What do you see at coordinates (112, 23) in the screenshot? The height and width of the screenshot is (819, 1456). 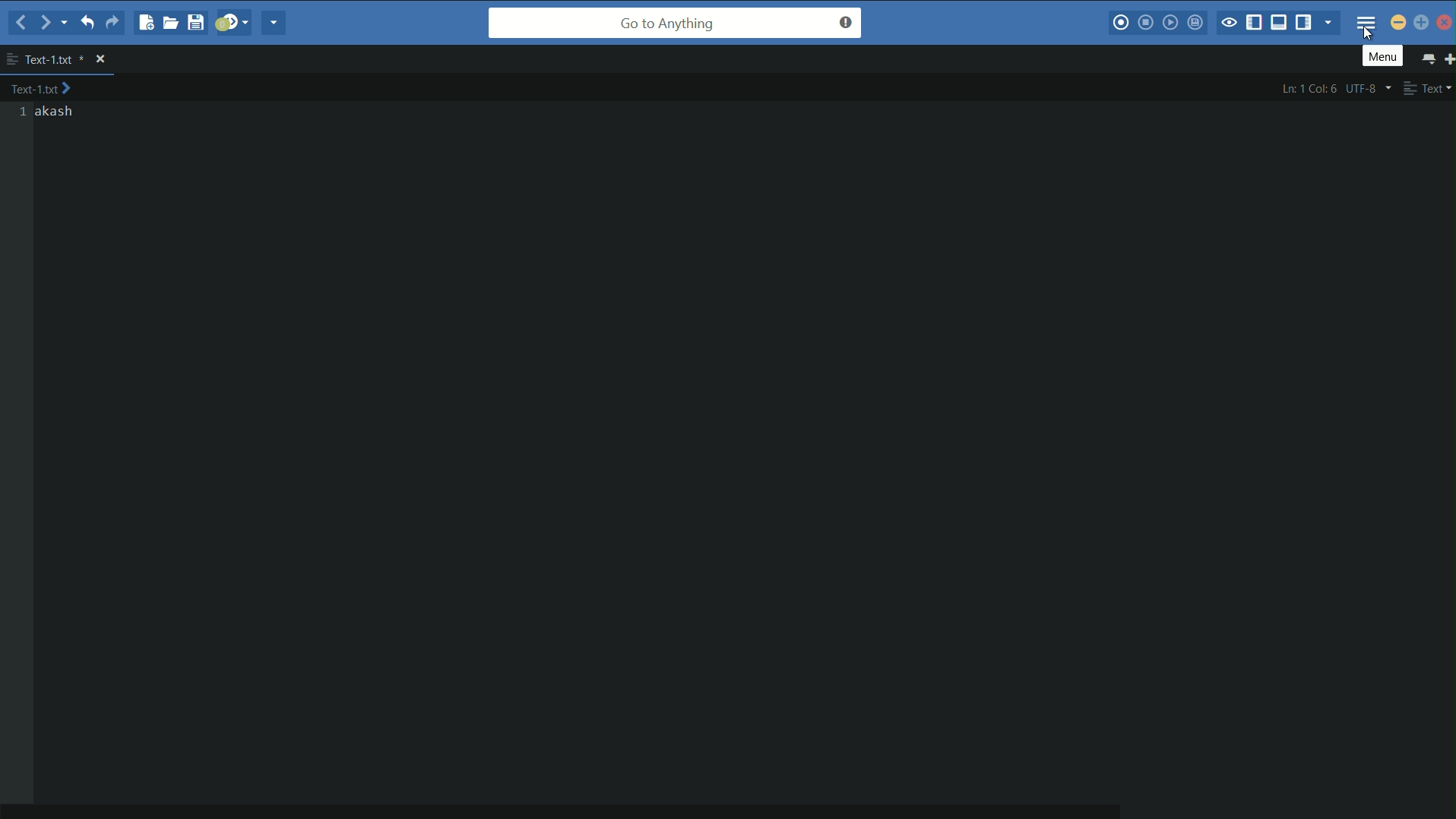 I see `redo` at bounding box center [112, 23].